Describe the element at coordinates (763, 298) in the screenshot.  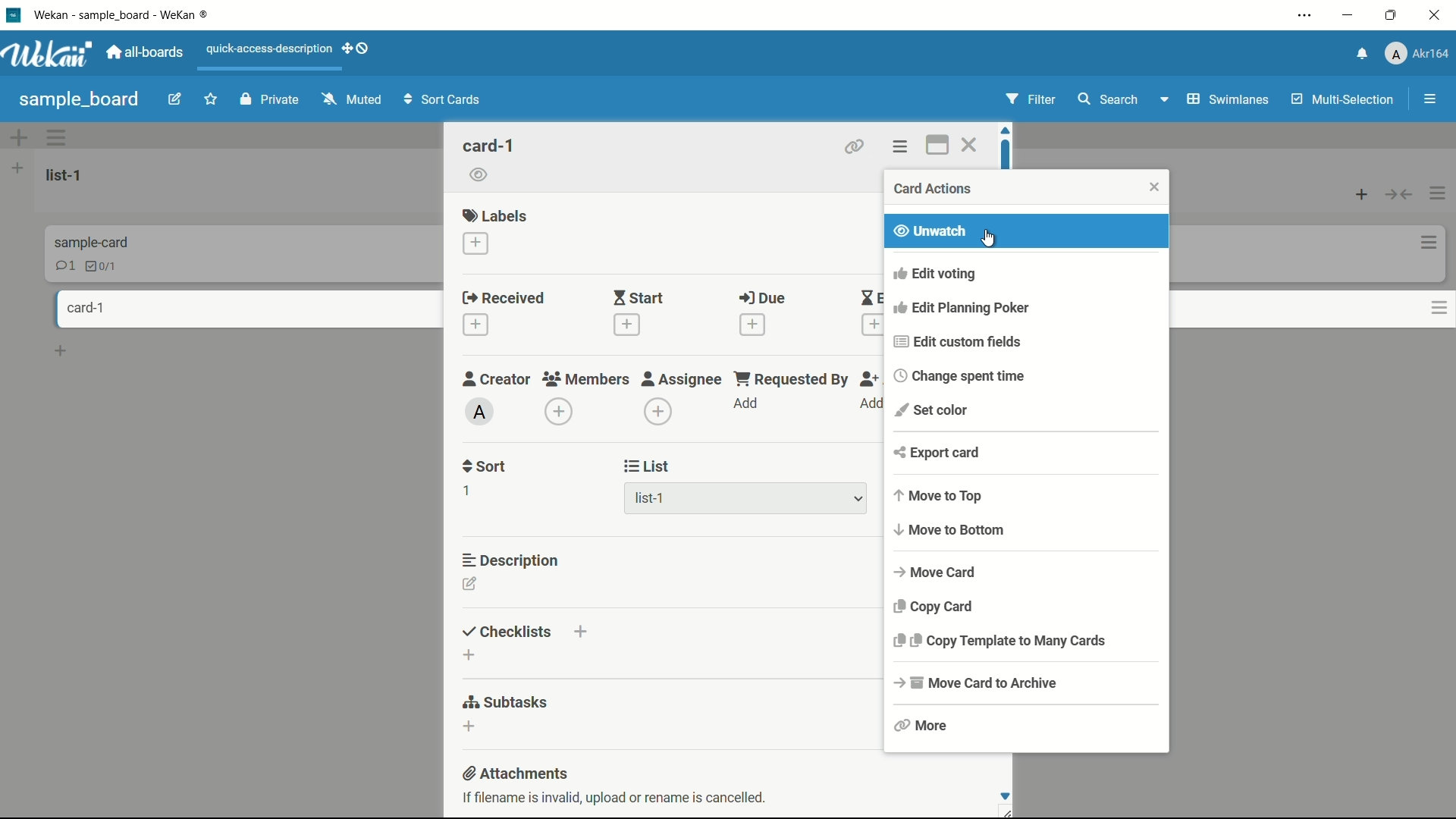
I see `due` at that location.